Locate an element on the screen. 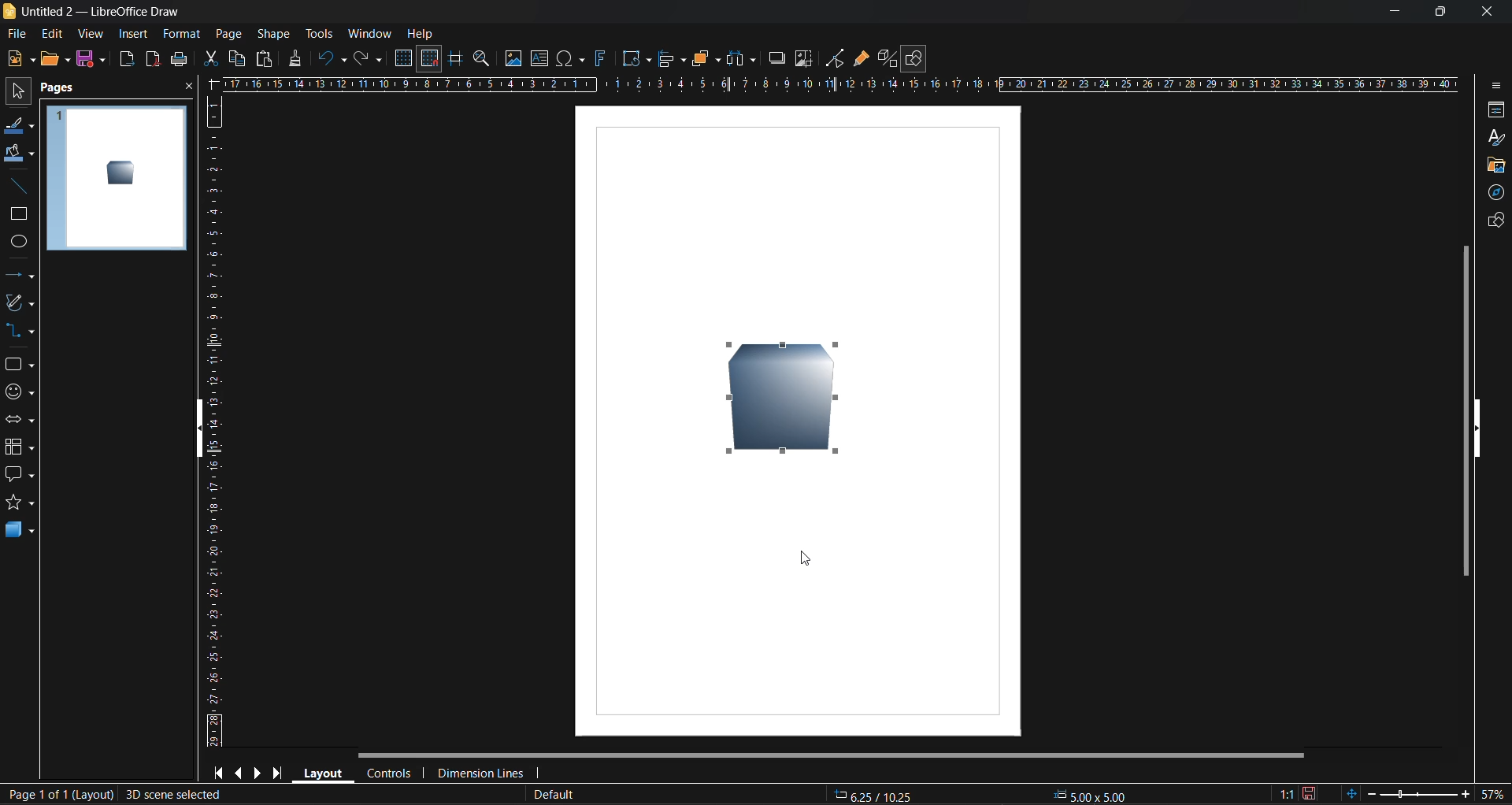  show gluepoint functions is located at coordinates (861, 59).